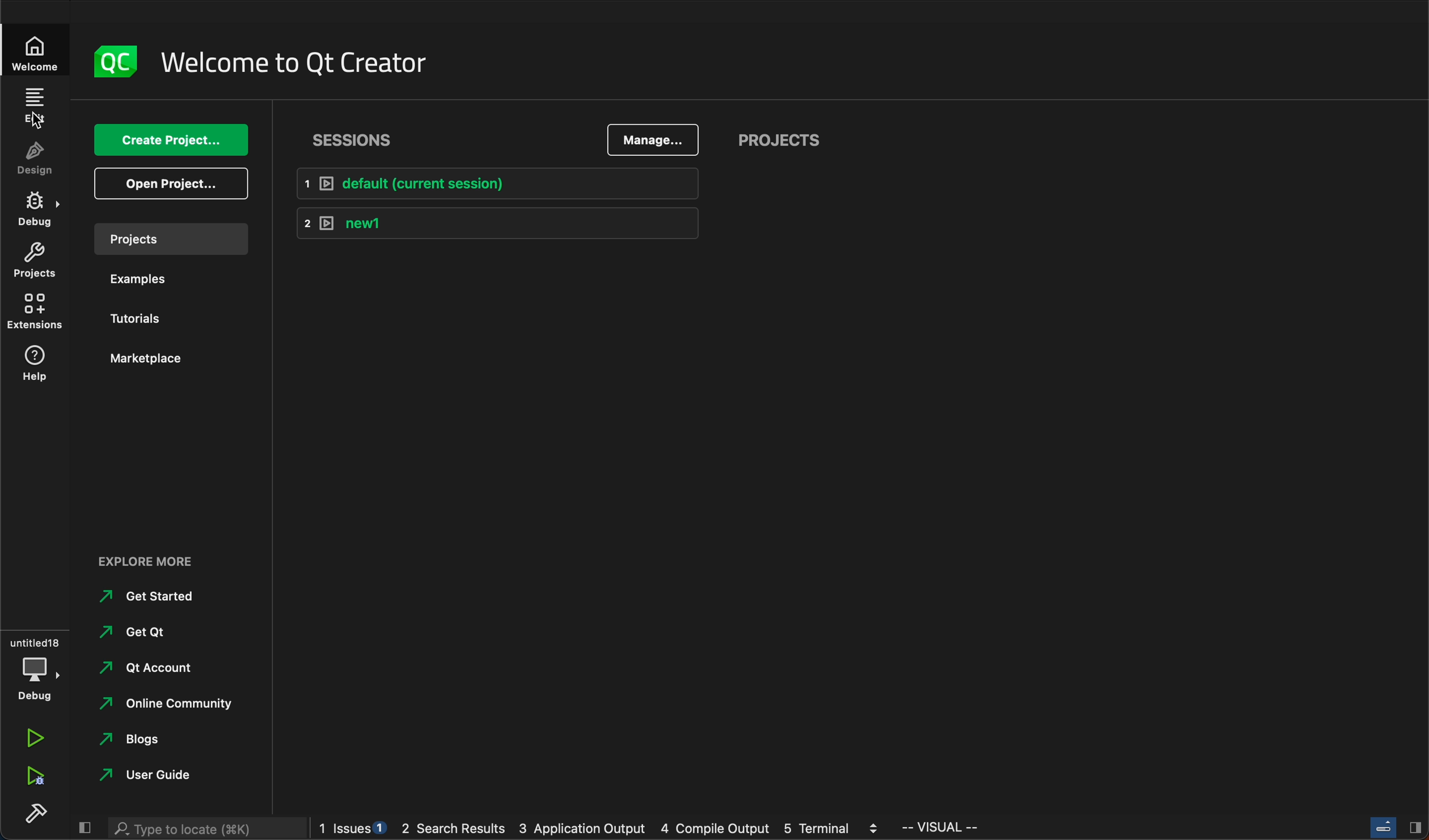 This screenshot has width=1429, height=840. What do you see at coordinates (581, 828) in the screenshot?
I see `3 application output` at bounding box center [581, 828].